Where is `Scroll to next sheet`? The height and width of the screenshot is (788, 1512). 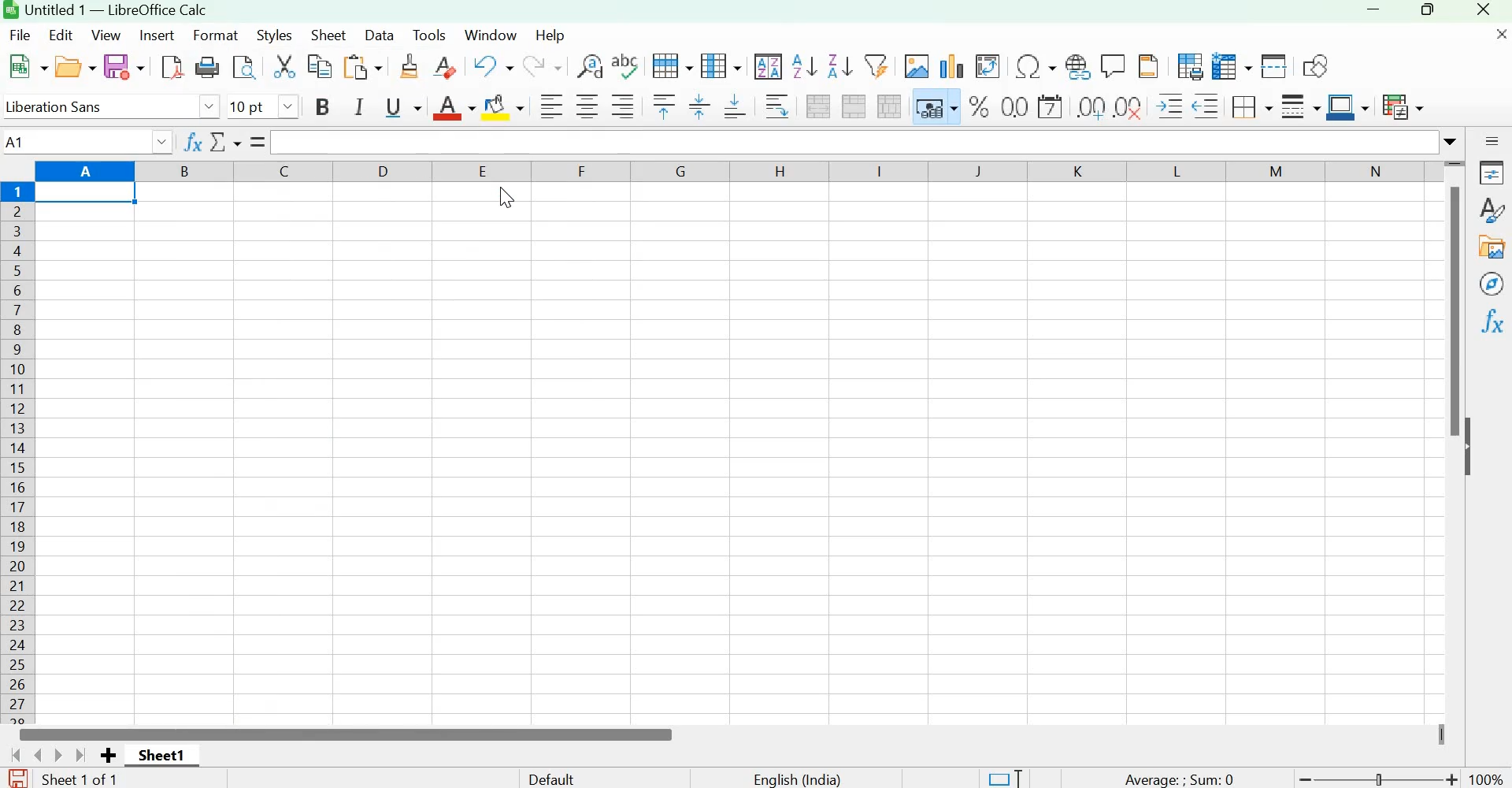 Scroll to next sheet is located at coordinates (60, 755).